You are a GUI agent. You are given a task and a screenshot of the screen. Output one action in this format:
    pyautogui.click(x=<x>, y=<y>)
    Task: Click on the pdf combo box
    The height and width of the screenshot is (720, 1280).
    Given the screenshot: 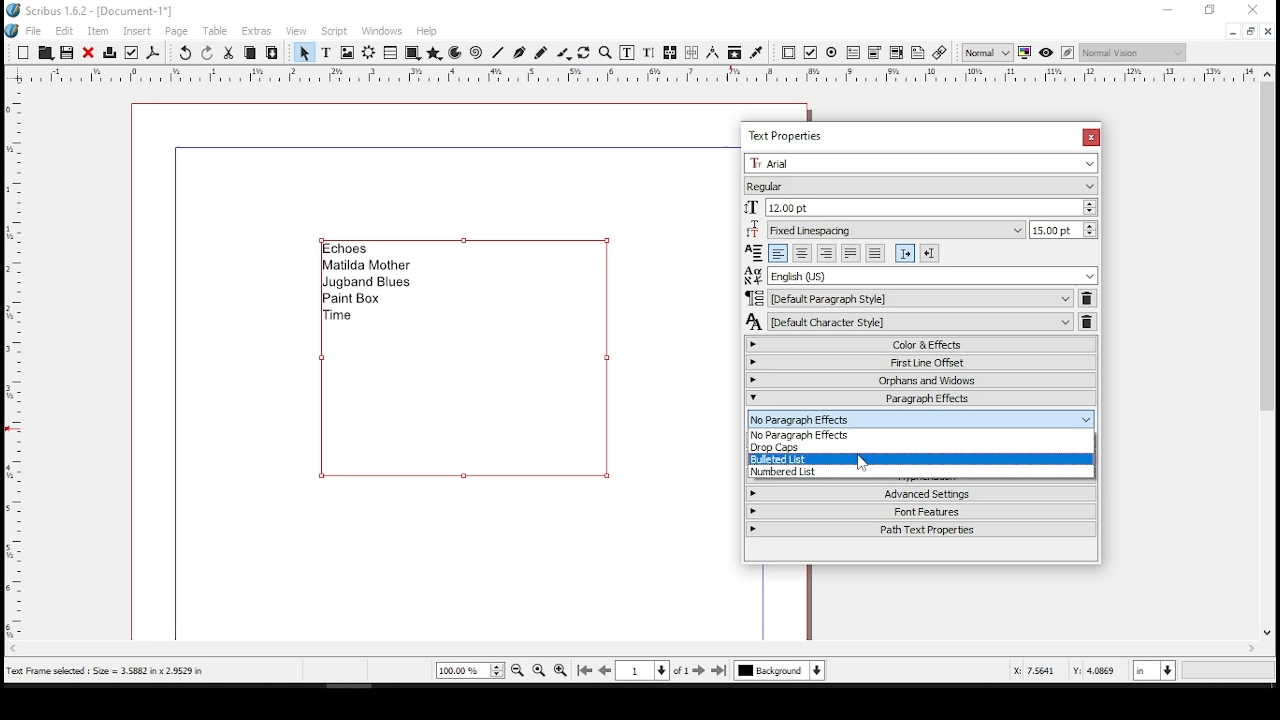 What is the action you would take?
    pyautogui.click(x=874, y=54)
    